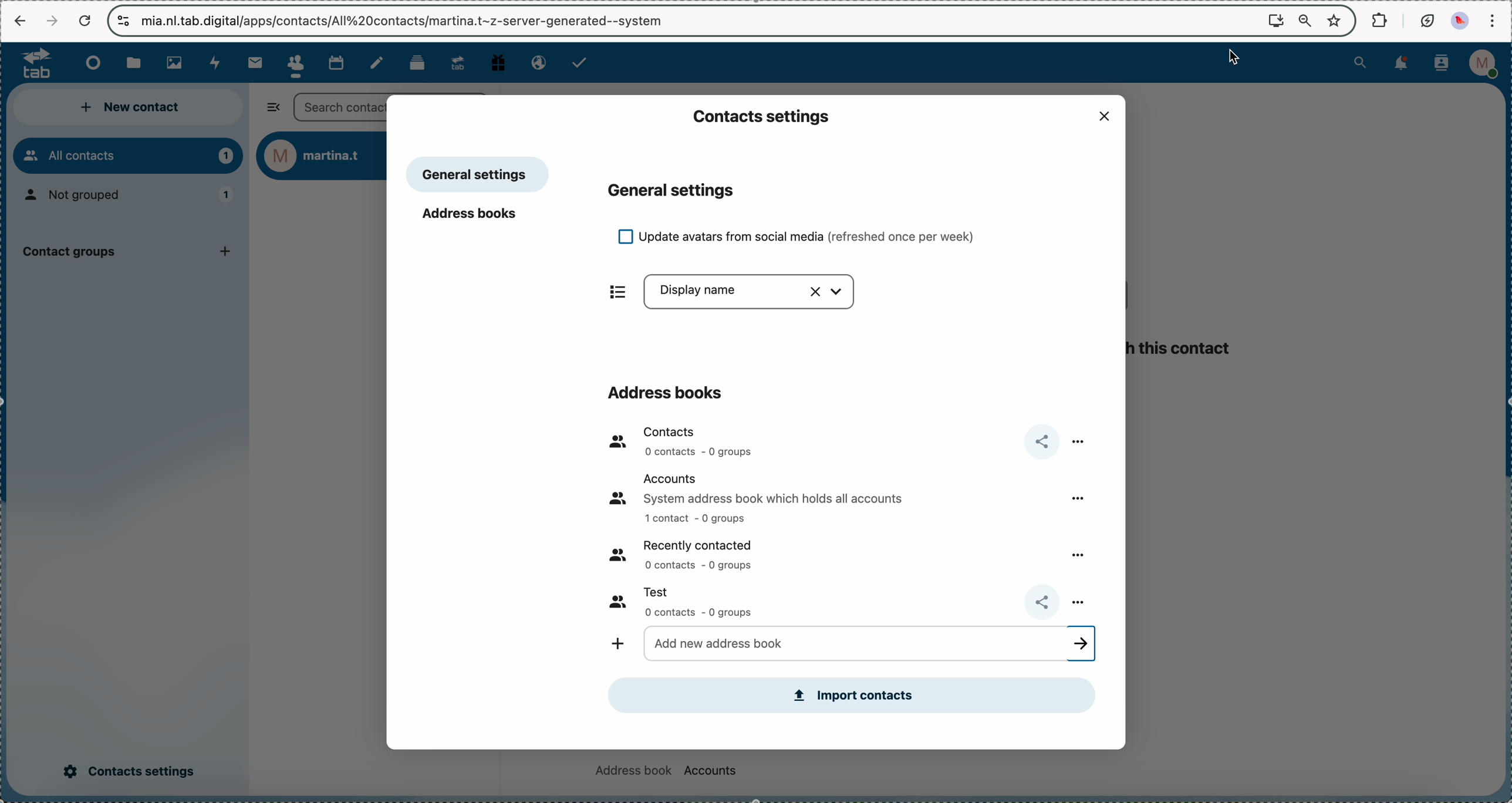 The image size is (1512, 803). What do you see at coordinates (127, 156) in the screenshot?
I see `all contacts` at bounding box center [127, 156].